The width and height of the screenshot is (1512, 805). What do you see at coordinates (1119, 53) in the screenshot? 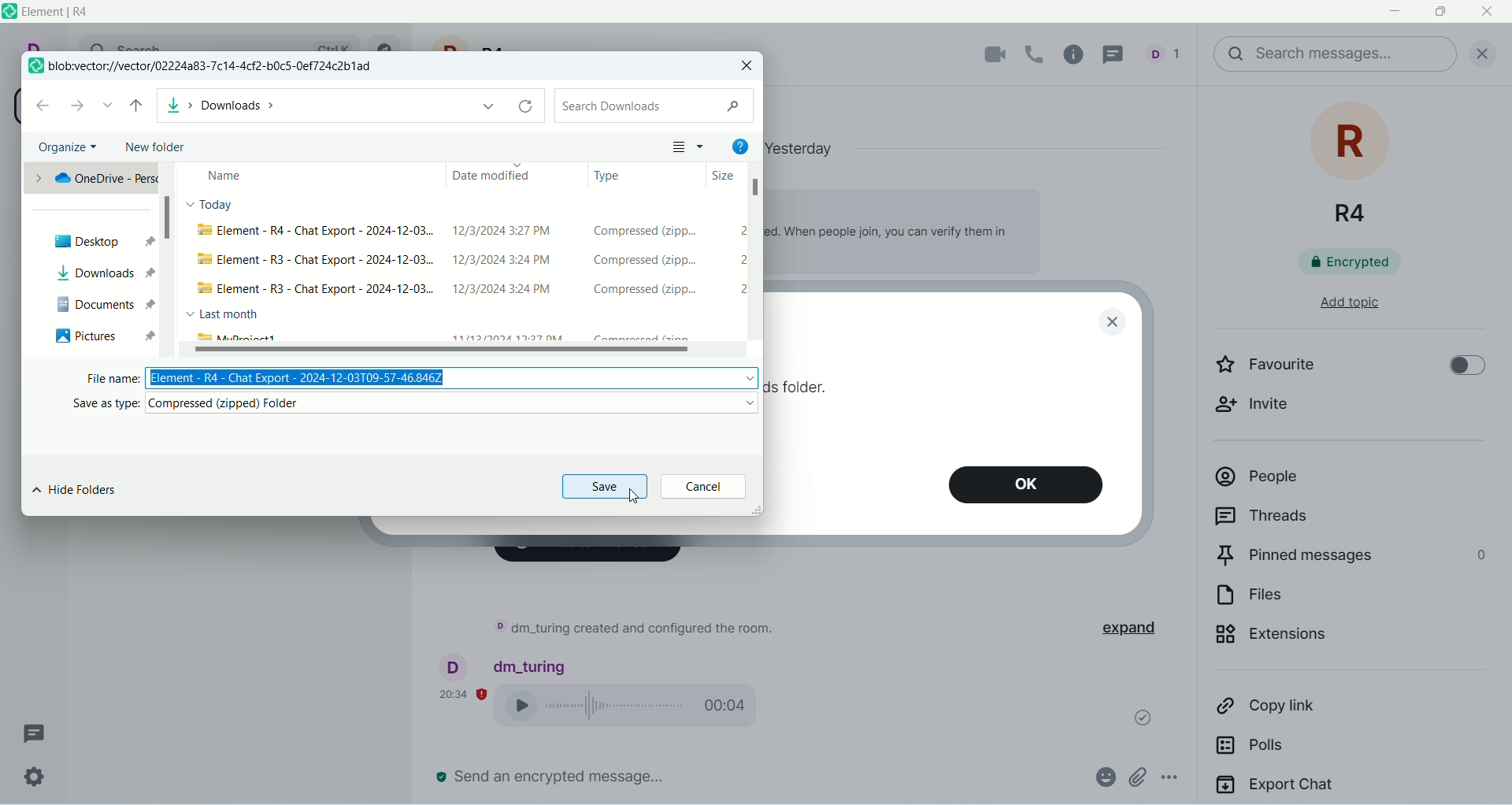
I see `threads` at bounding box center [1119, 53].